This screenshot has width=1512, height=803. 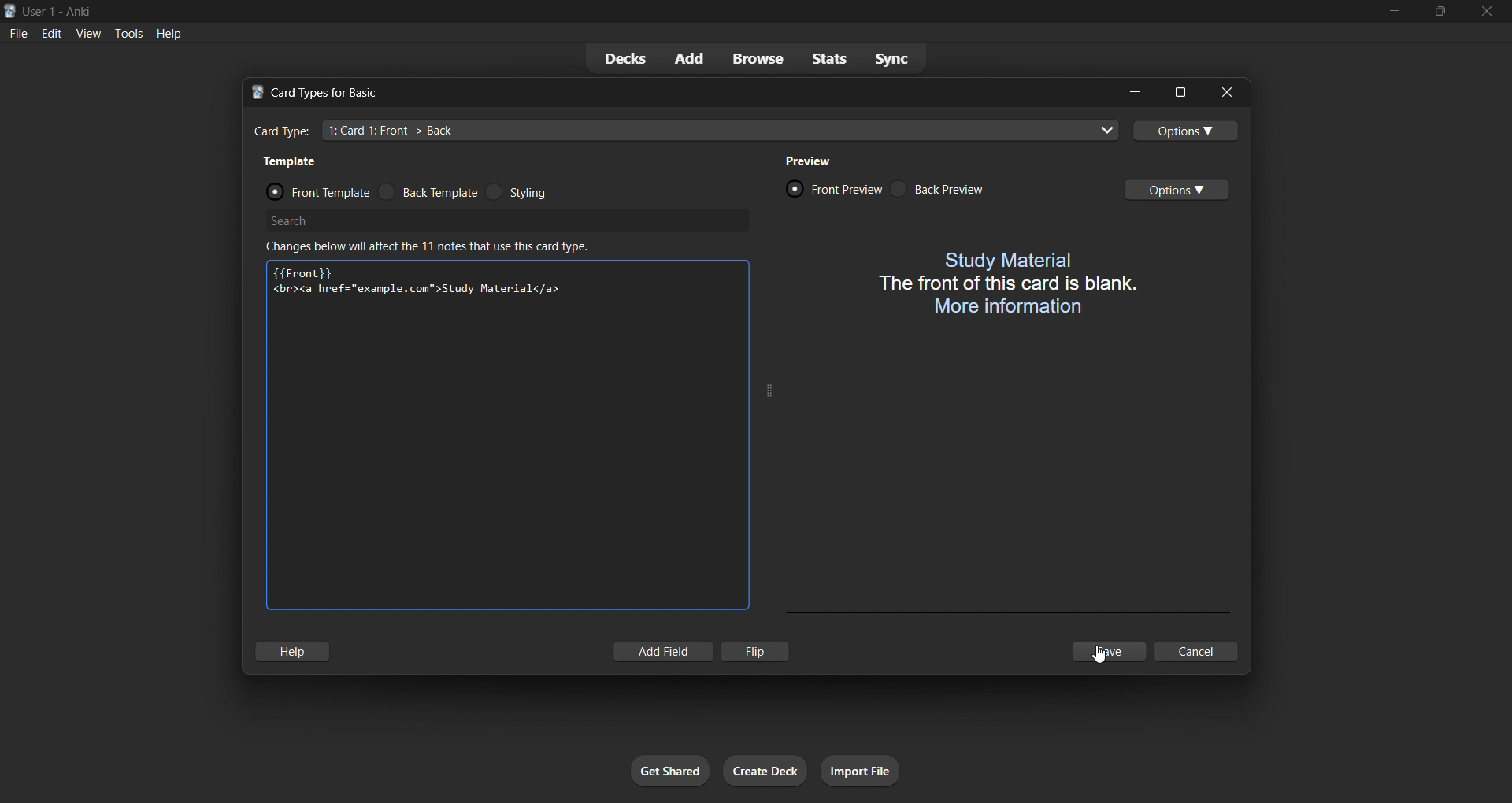 I want to click on preview, so click(x=807, y=160).